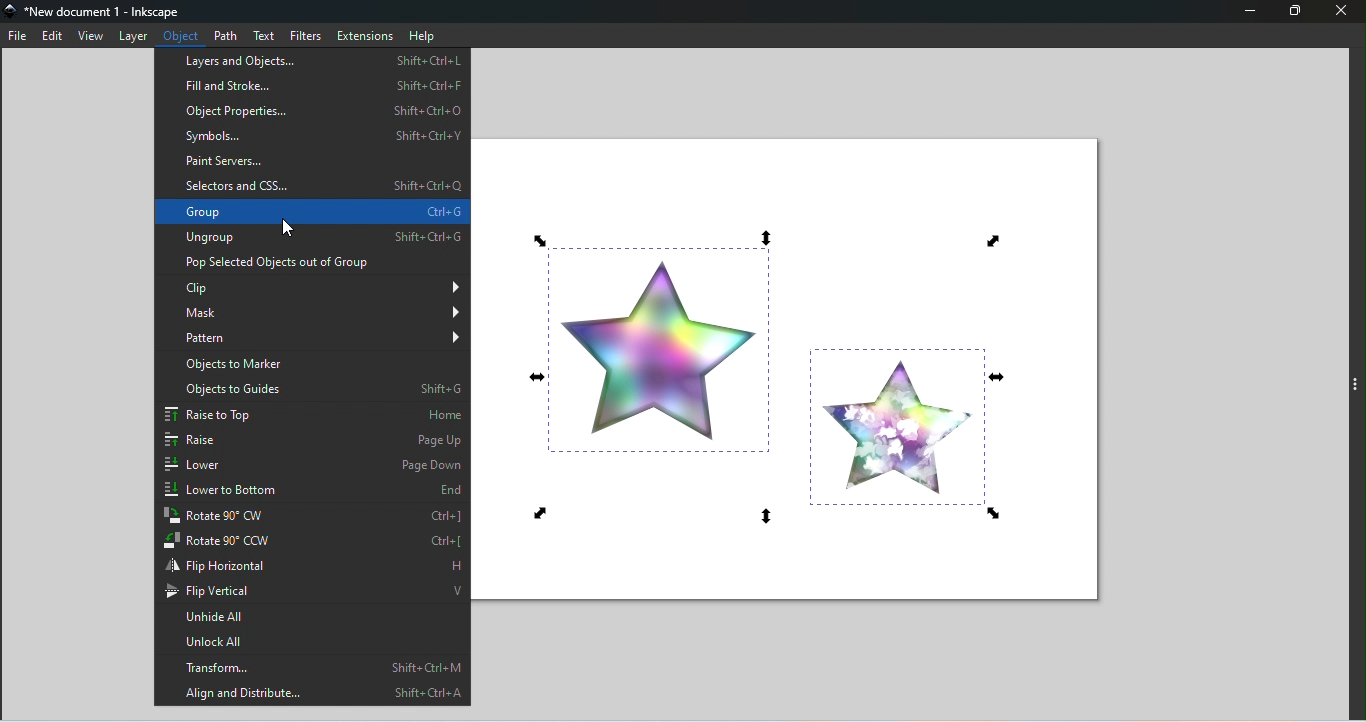 The height and width of the screenshot is (722, 1366). What do you see at coordinates (315, 467) in the screenshot?
I see `Lower` at bounding box center [315, 467].